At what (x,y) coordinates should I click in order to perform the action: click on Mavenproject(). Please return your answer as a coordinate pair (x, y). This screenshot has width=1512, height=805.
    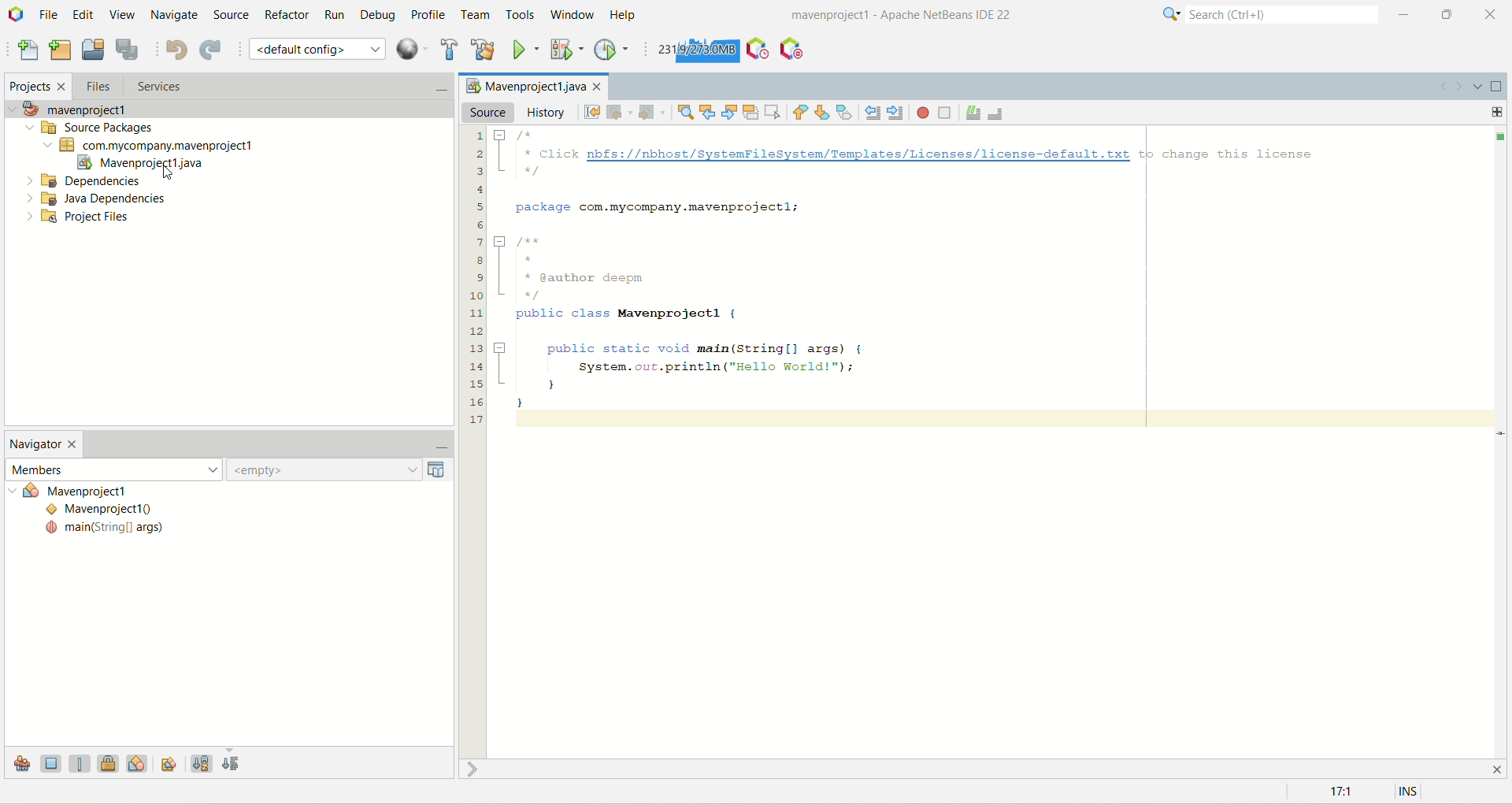
    Looking at the image, I should click on (106, 510).